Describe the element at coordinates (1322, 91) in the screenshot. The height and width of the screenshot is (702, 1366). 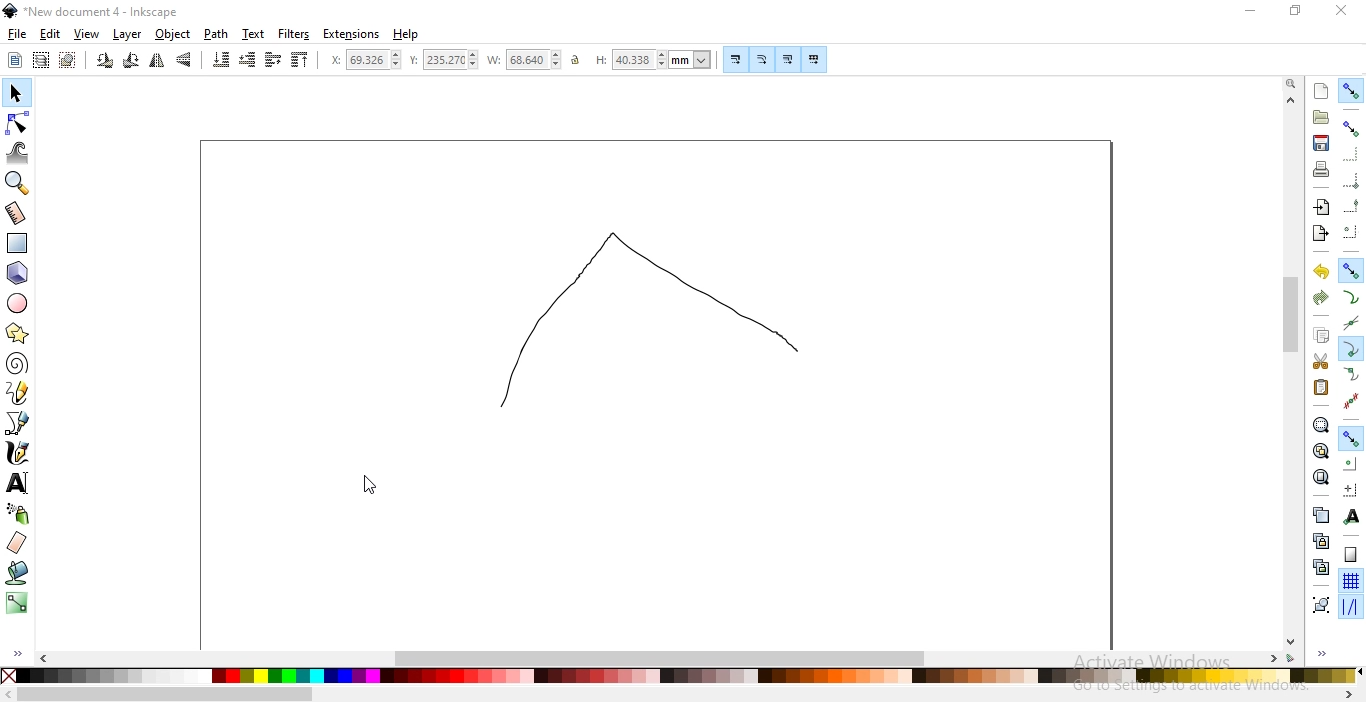
I see `create a document` at that location.